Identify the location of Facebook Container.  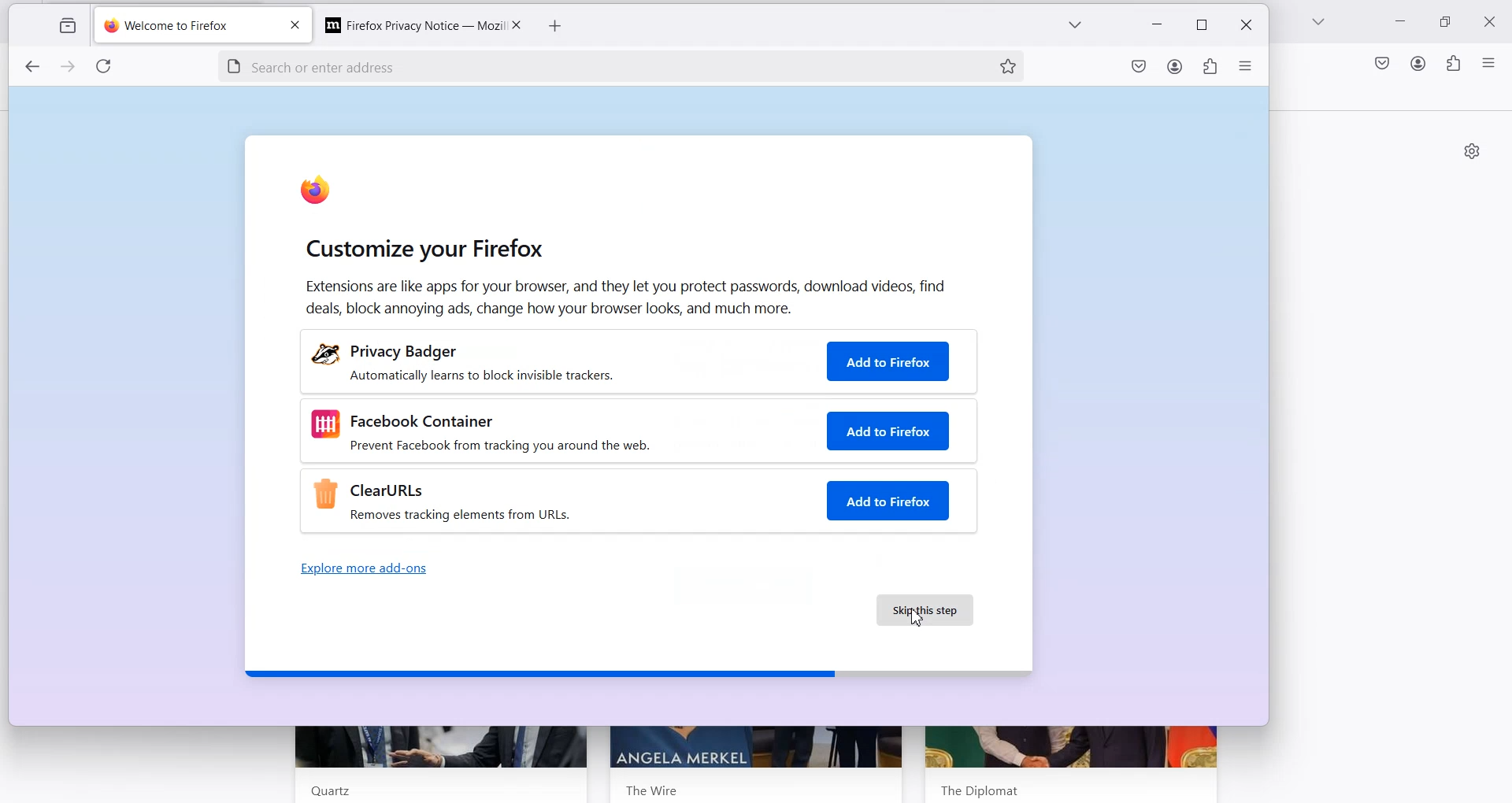
(422, 420).